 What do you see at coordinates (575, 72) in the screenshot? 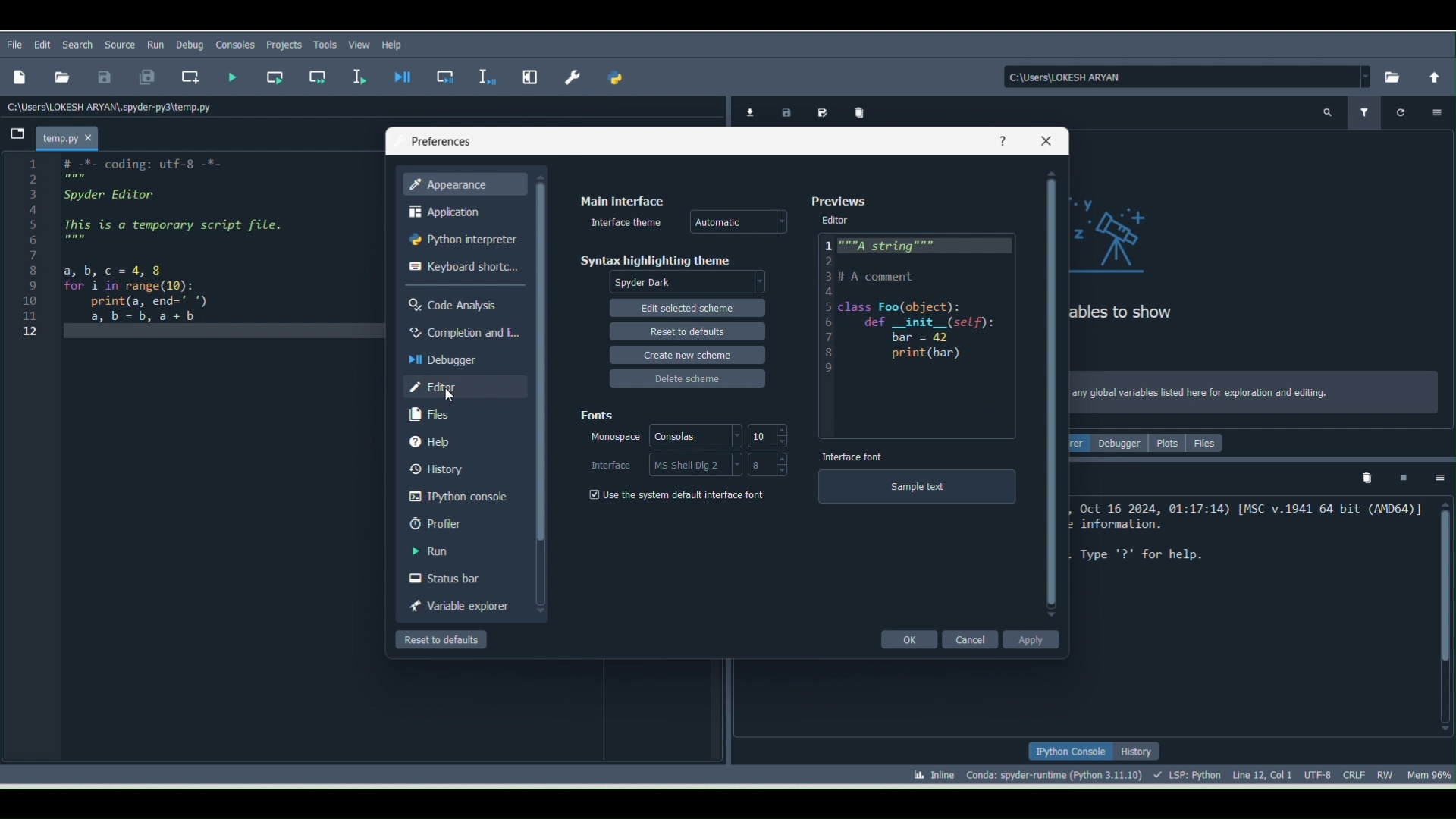
I see `Preferences` at bounding box center [575, 72].